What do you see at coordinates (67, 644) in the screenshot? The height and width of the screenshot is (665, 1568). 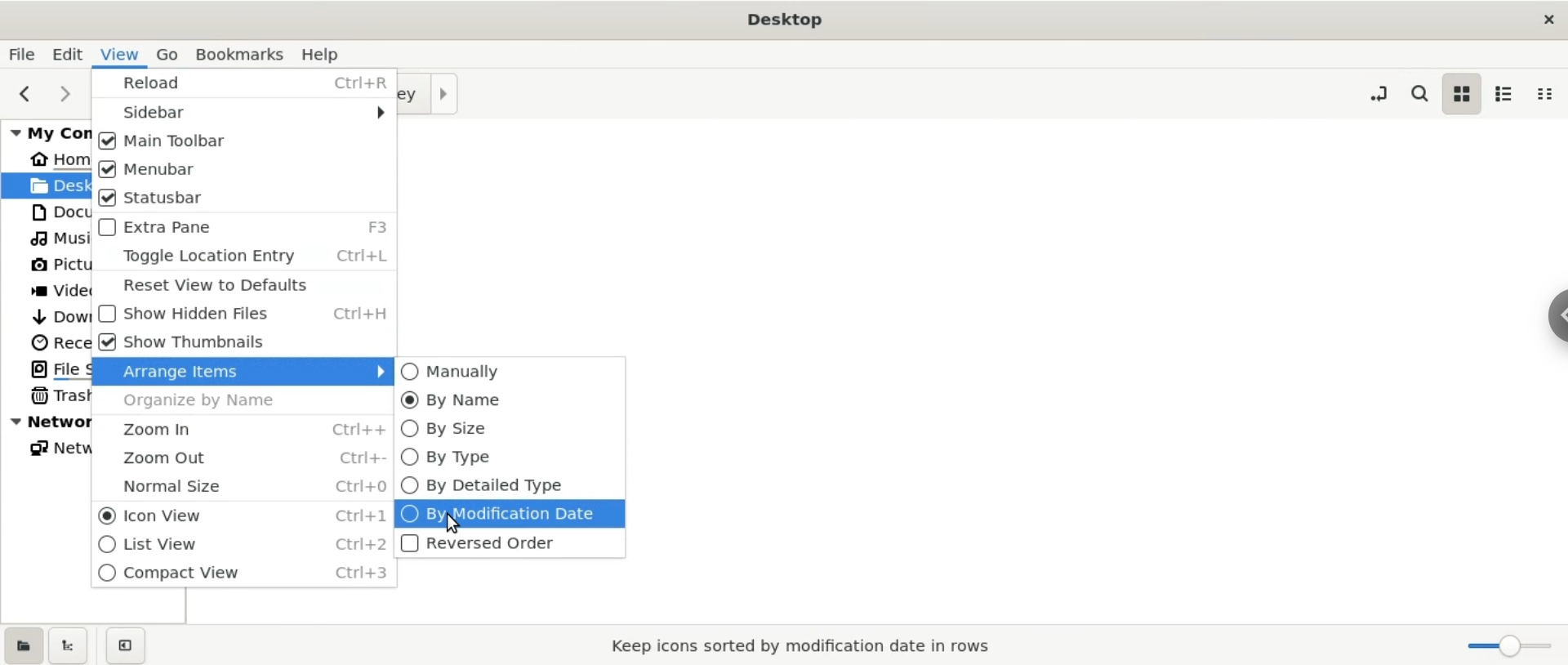 I see `show treeview` at bounding box center [67, 644].